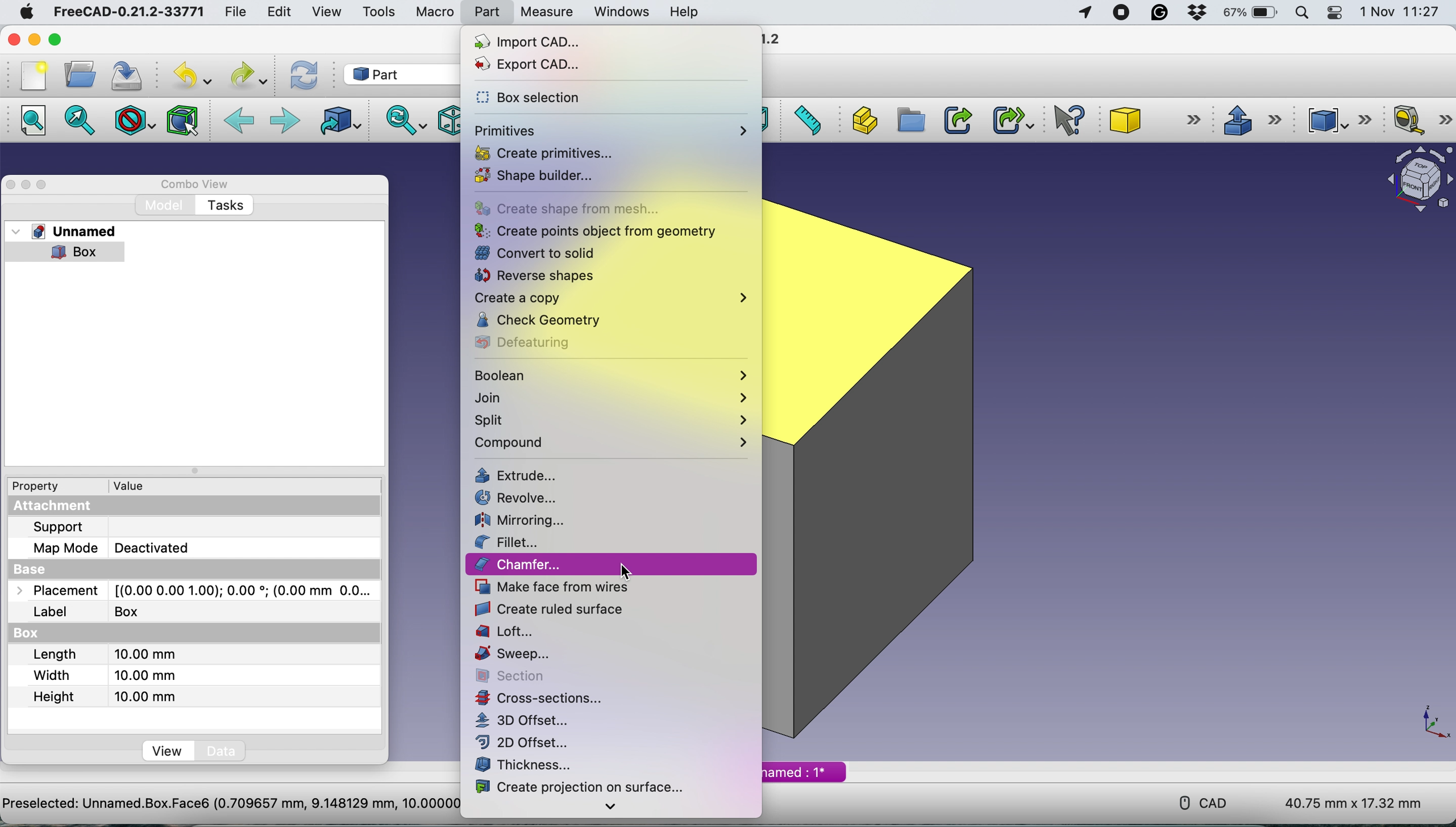  What do you see at coordinates (552, 153) in the screenshot?
I see `create primitives` at bounding box center [552, 153].